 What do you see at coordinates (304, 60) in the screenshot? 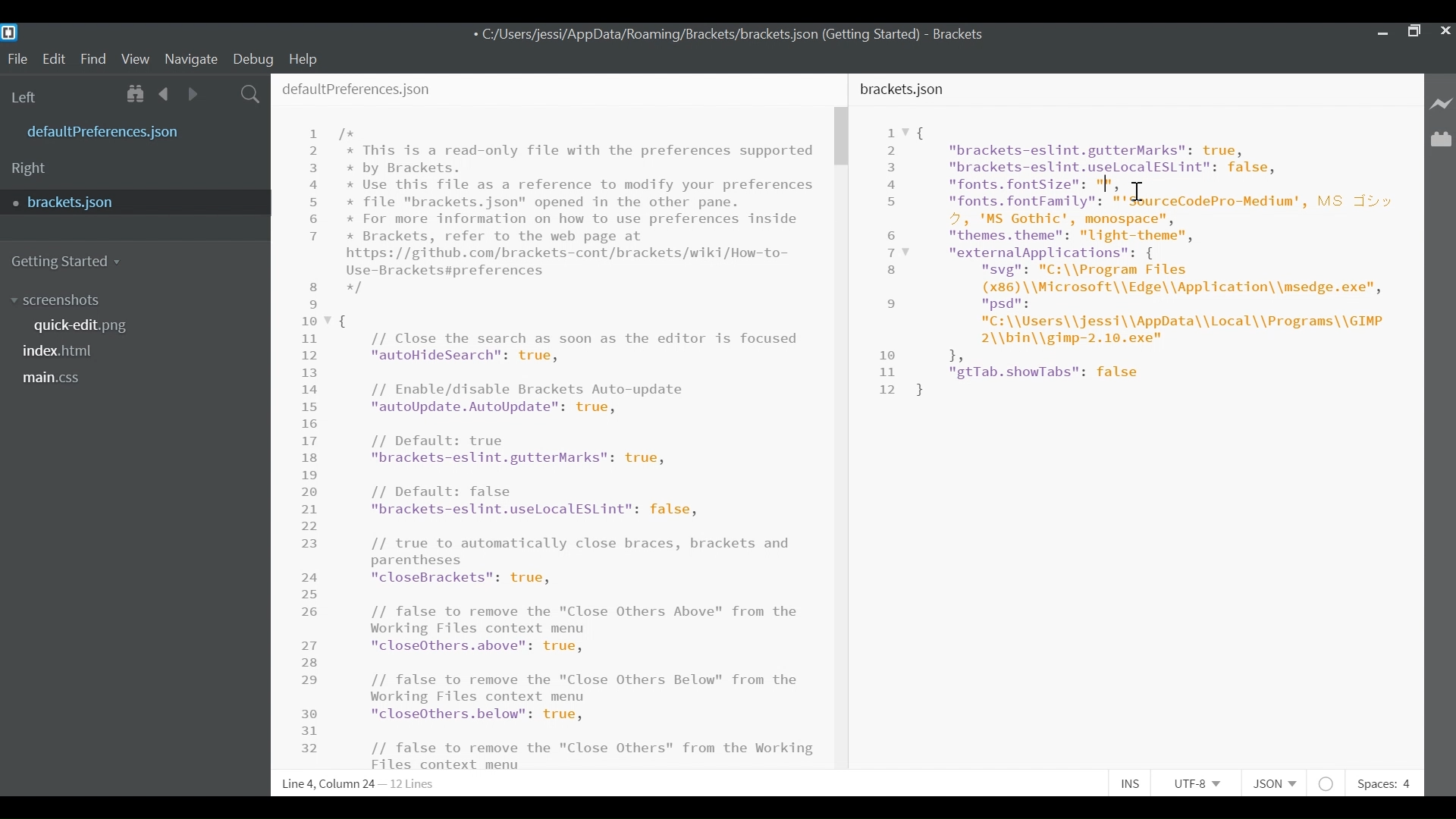
I see `Help` at bounding box center [304, 60].